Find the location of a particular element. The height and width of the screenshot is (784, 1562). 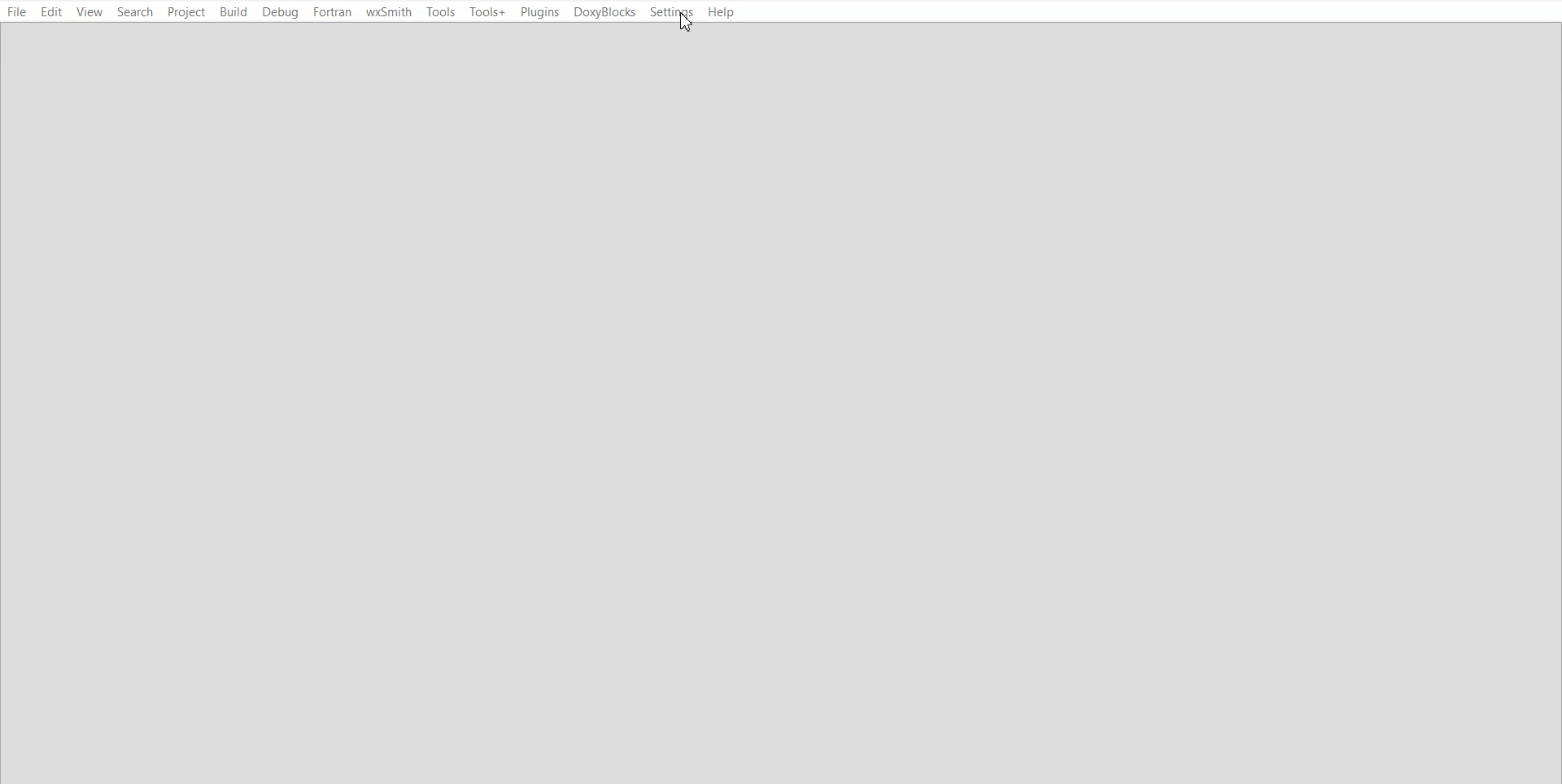

Search is located at coordinates (137, 12).